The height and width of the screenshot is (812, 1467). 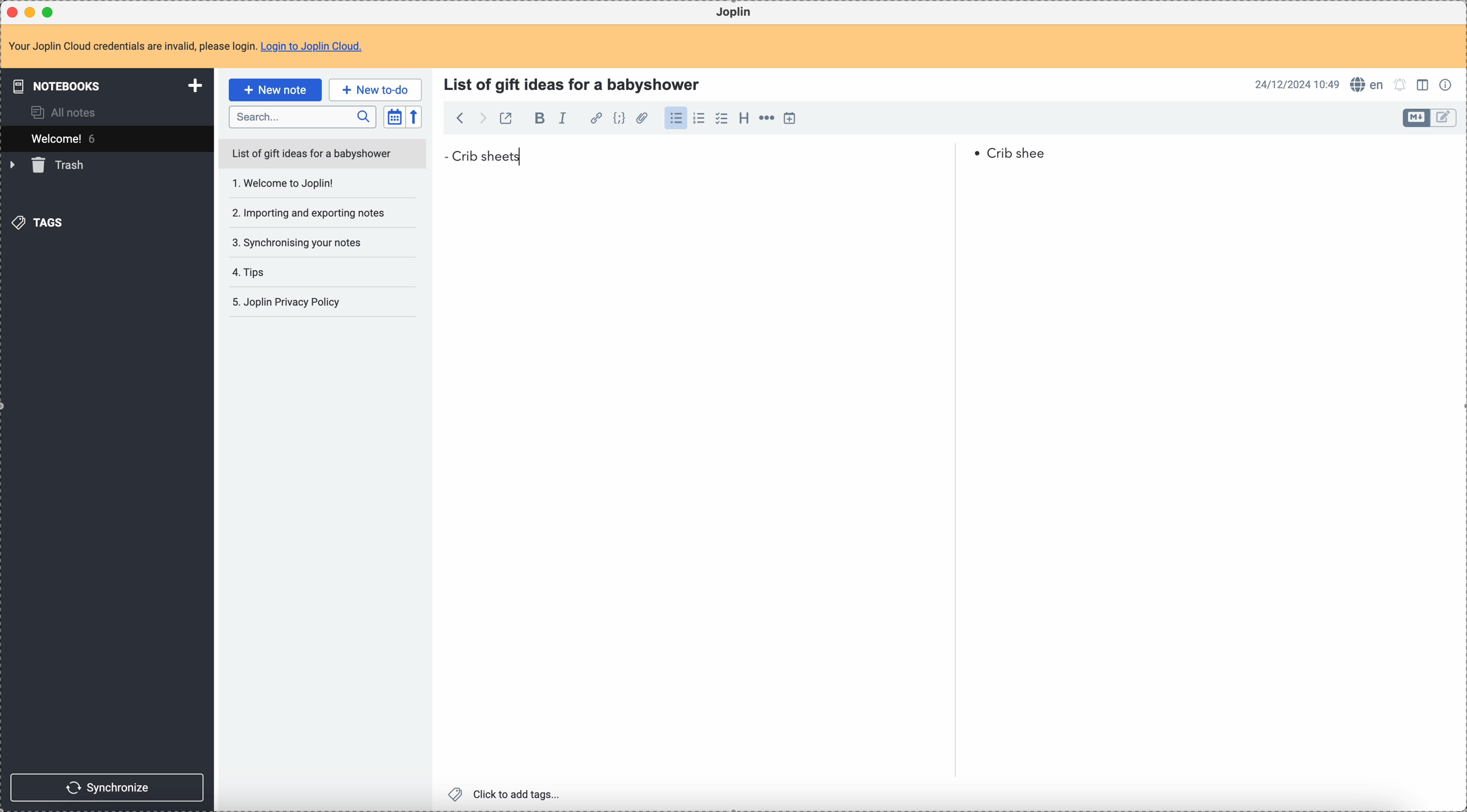 What do you see at coordinates (679, 119) in the screenshot?
I see `click on bulleted list` at bounding box center [679, 119].